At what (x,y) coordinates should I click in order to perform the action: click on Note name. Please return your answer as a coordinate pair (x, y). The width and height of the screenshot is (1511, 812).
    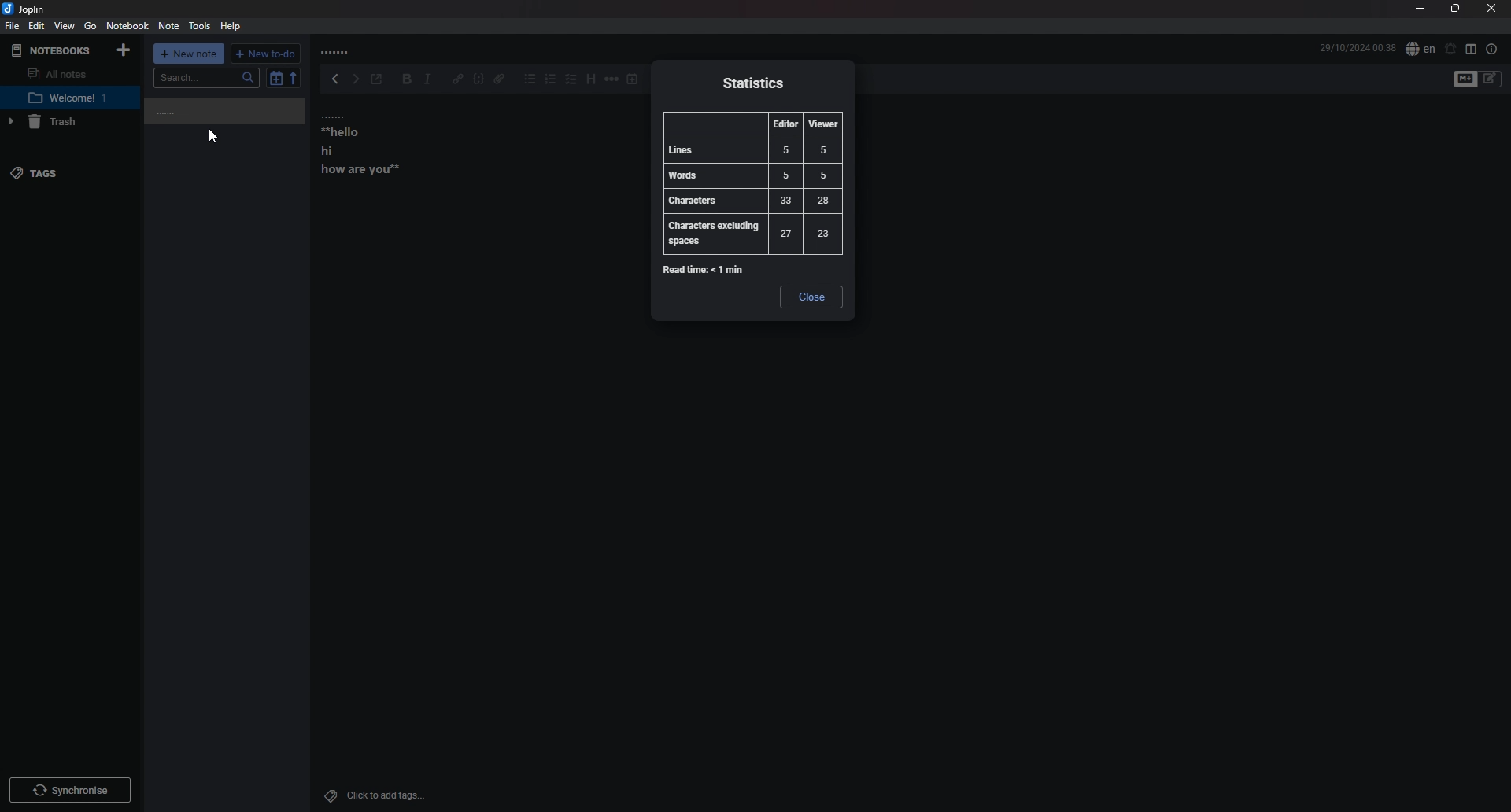
    Looking at the image, I should click on (207, 112).